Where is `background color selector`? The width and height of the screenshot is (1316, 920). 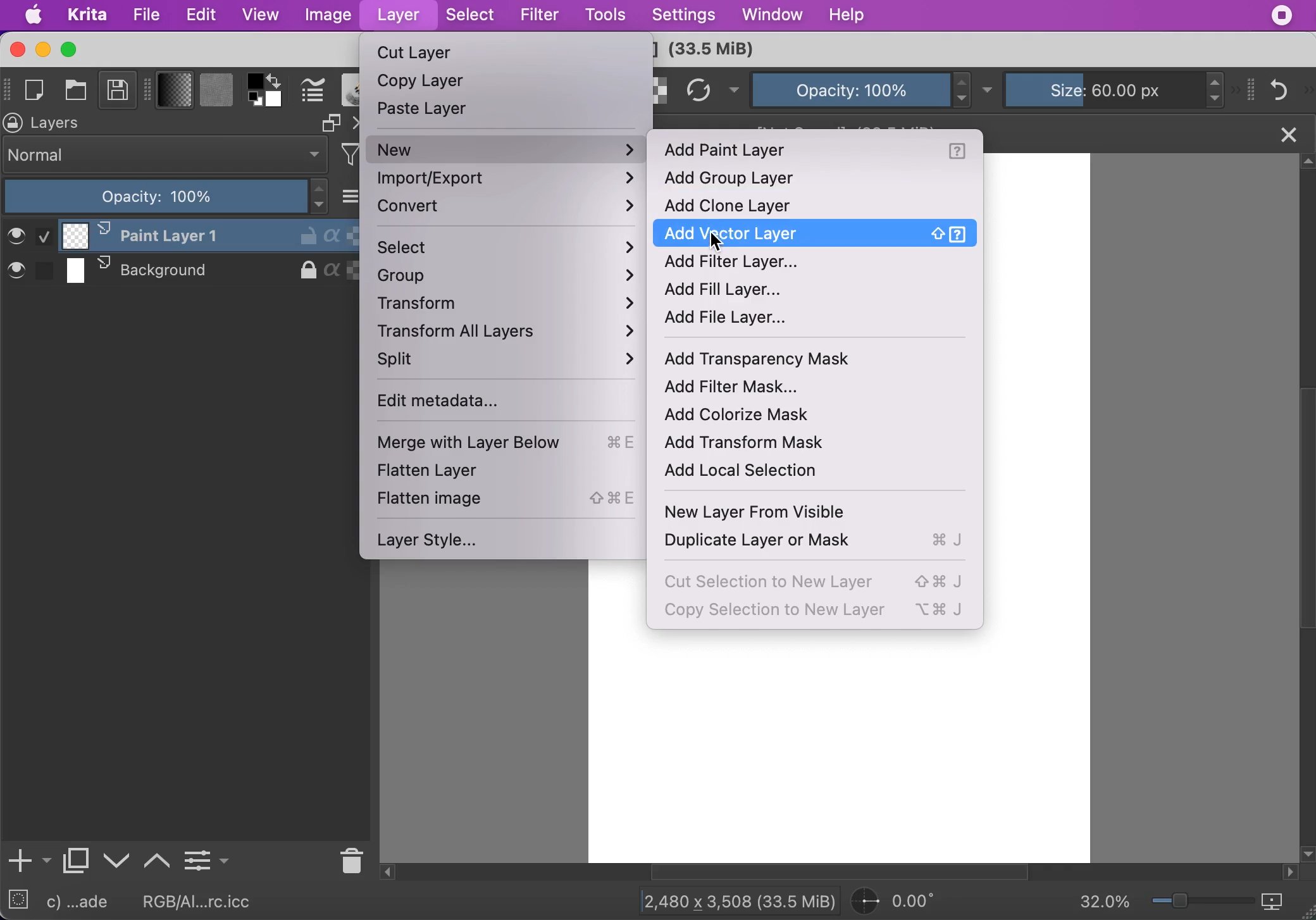 background color selector is located at coordinates (275, 101).